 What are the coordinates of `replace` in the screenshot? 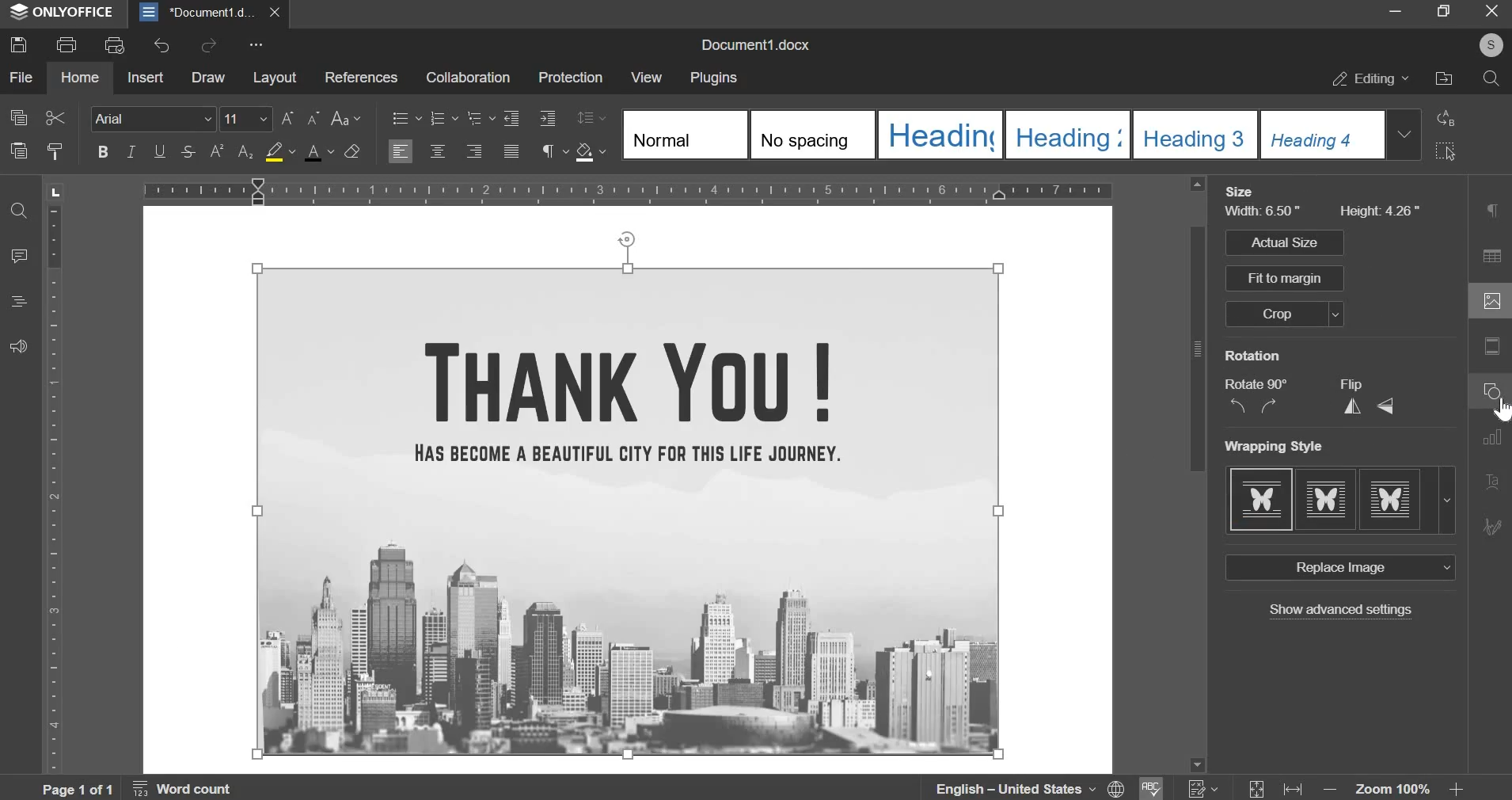 It's located at (1446, 117).